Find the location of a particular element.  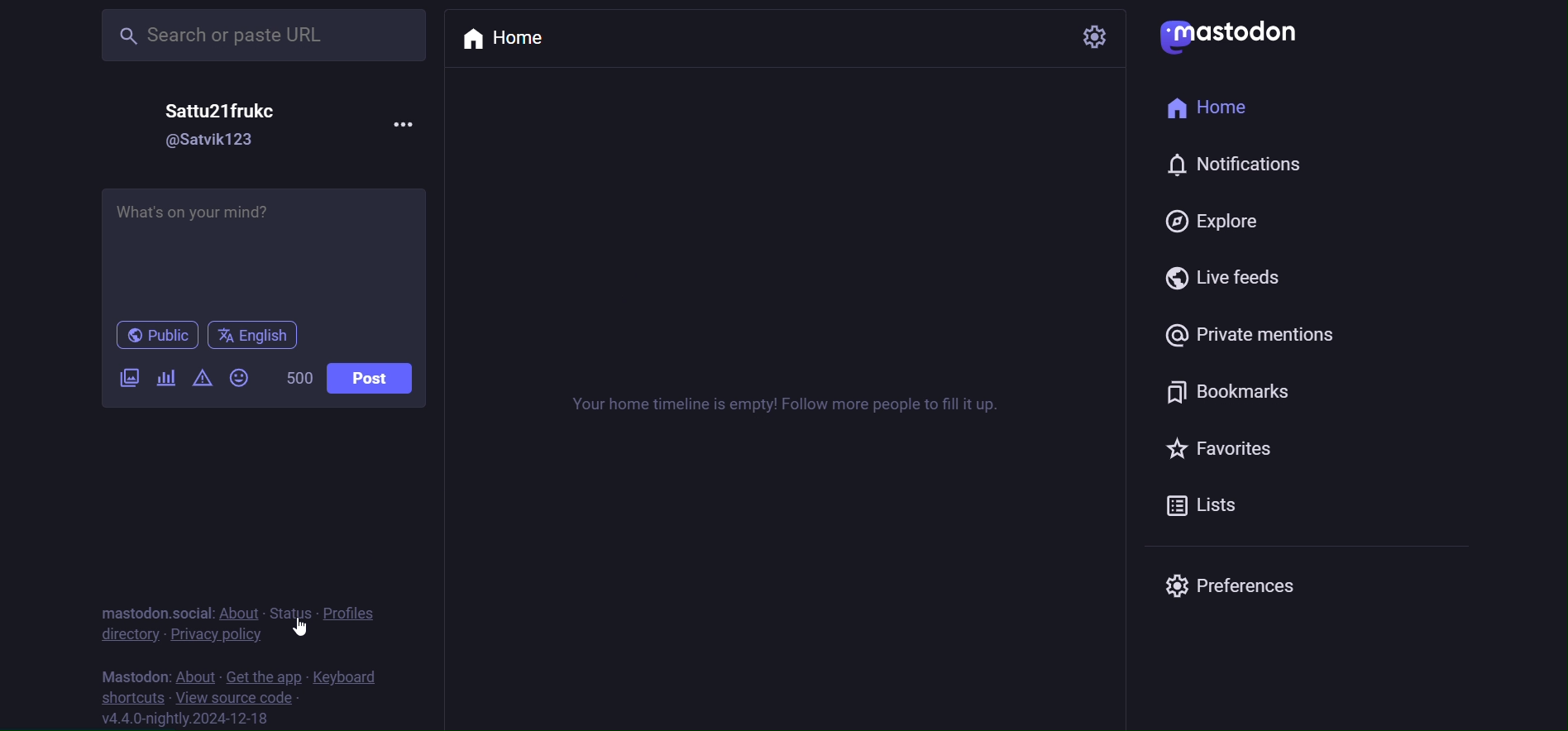

view source code is located at coordinates (246, 698).